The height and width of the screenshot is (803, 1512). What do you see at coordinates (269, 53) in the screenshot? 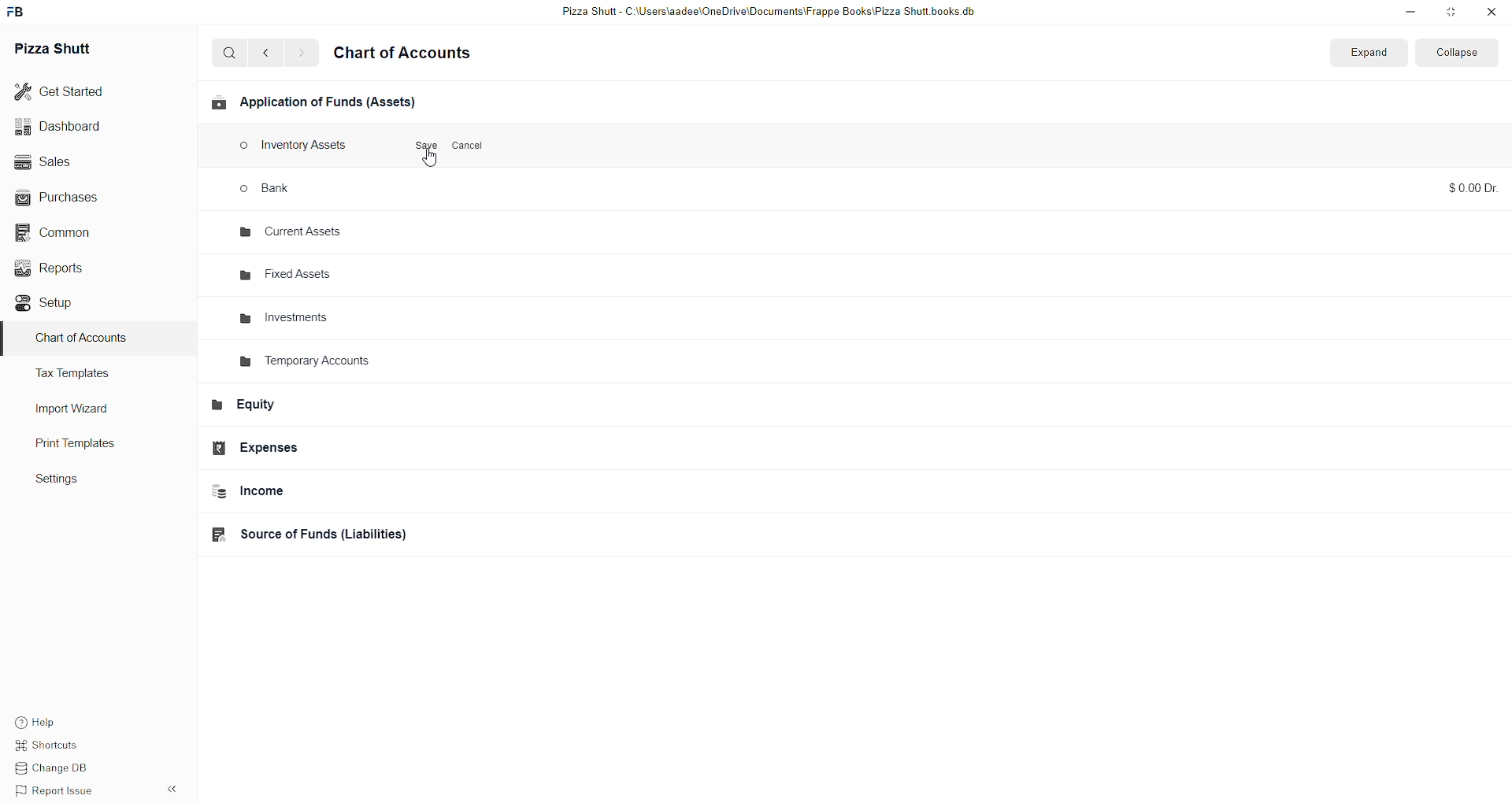
I see `go back ` at bounding box center [269, 53].